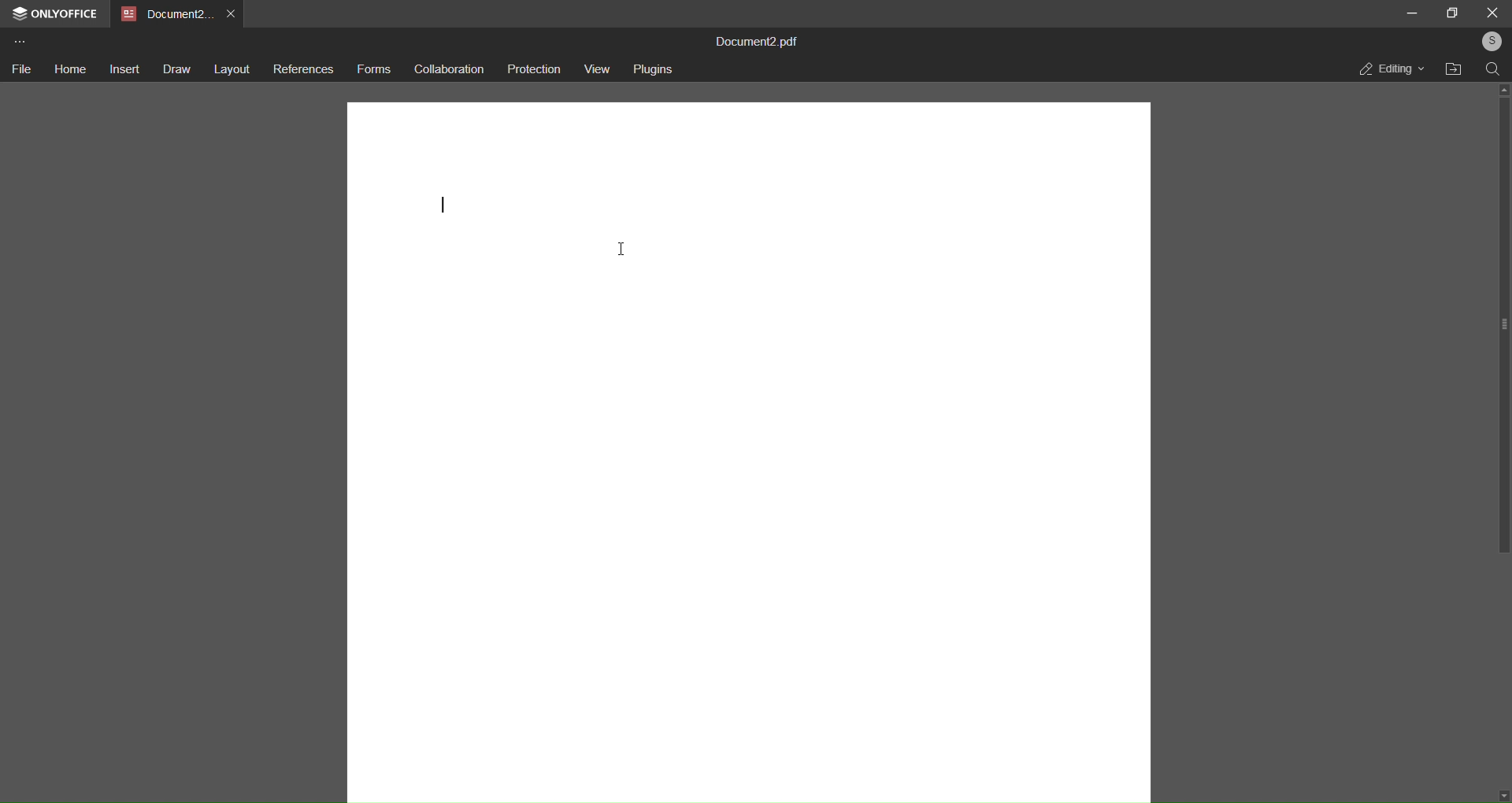 This screenshot has height=803, width=1512. Describe the element at coordinates (232, 70) in the screenshot. I see `layout` at that location.